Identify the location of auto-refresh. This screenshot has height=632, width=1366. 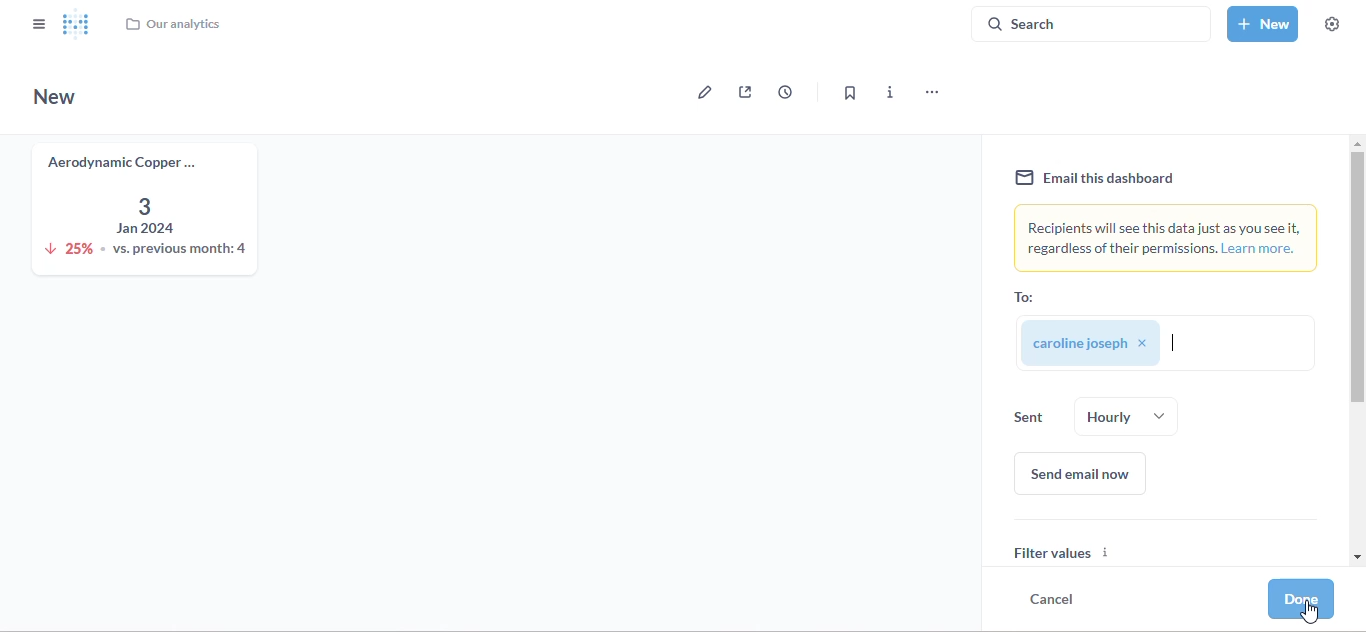
(785, 91).